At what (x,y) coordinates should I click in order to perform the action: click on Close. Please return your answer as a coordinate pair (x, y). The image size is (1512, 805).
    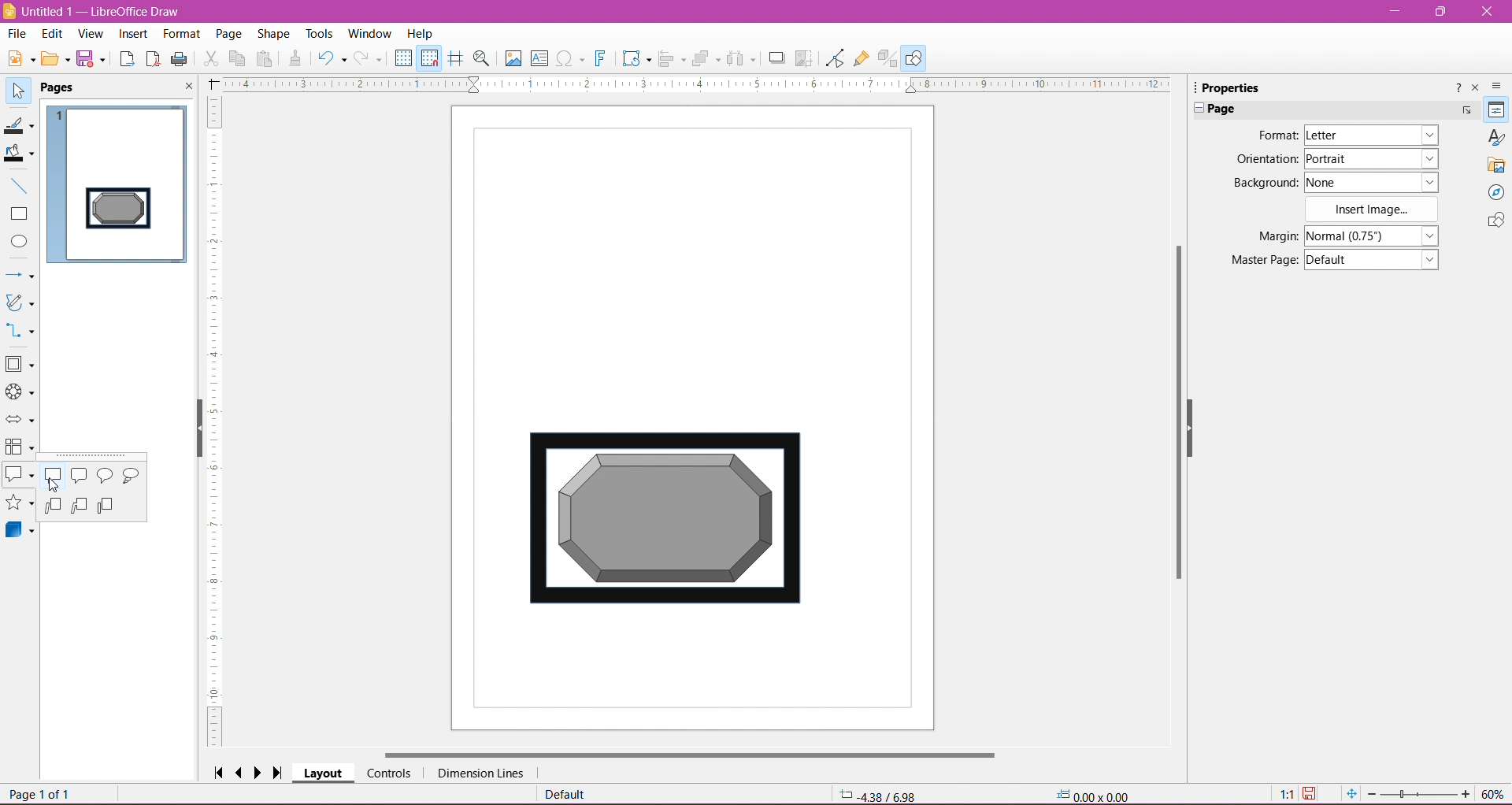
    Looking at the image, I should click on (187, 88).